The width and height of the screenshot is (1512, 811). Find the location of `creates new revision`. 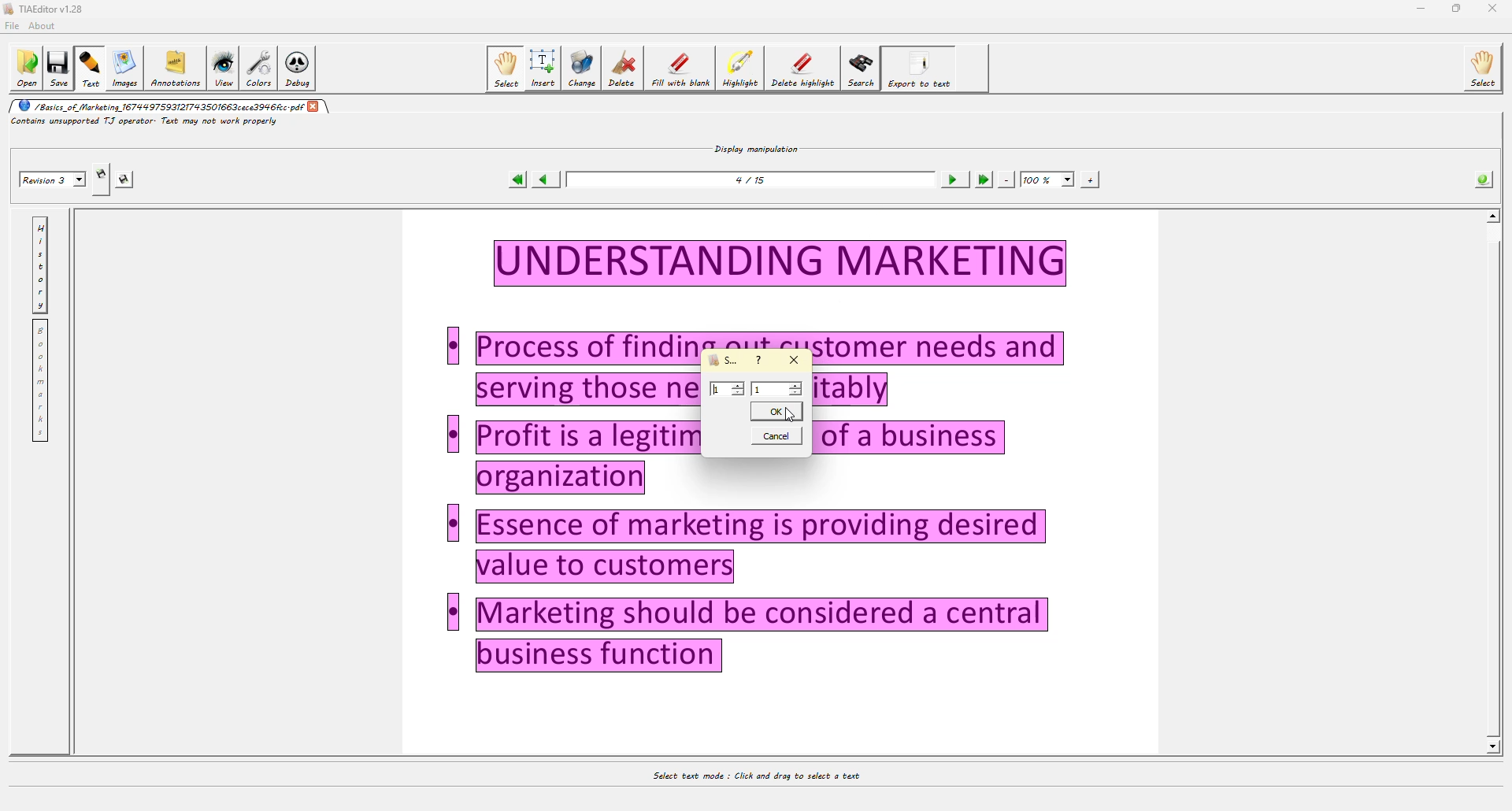

creates new revision is located at coordinates (102, 172).